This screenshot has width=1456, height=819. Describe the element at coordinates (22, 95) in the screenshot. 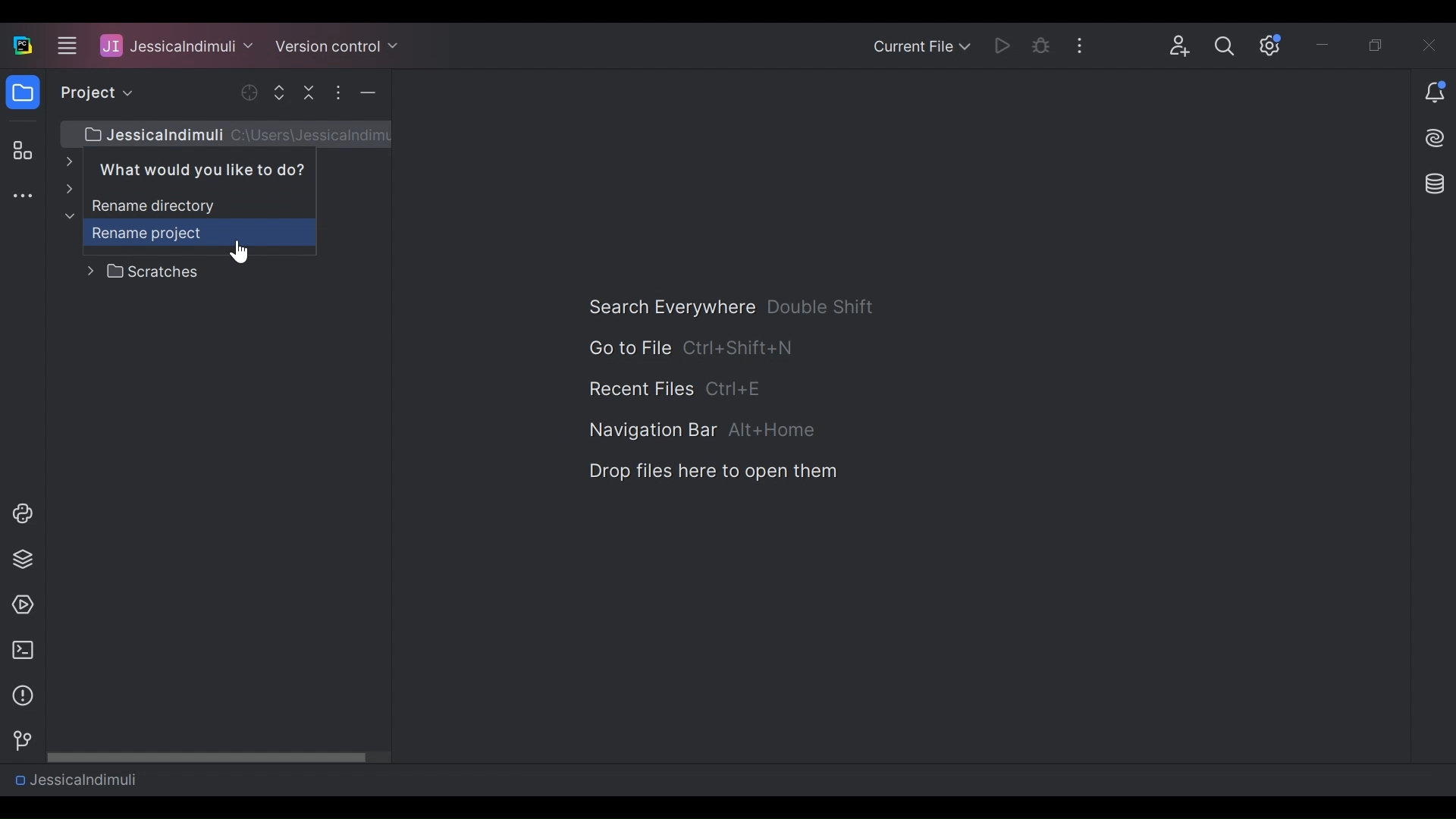

I see `folder` at that location.